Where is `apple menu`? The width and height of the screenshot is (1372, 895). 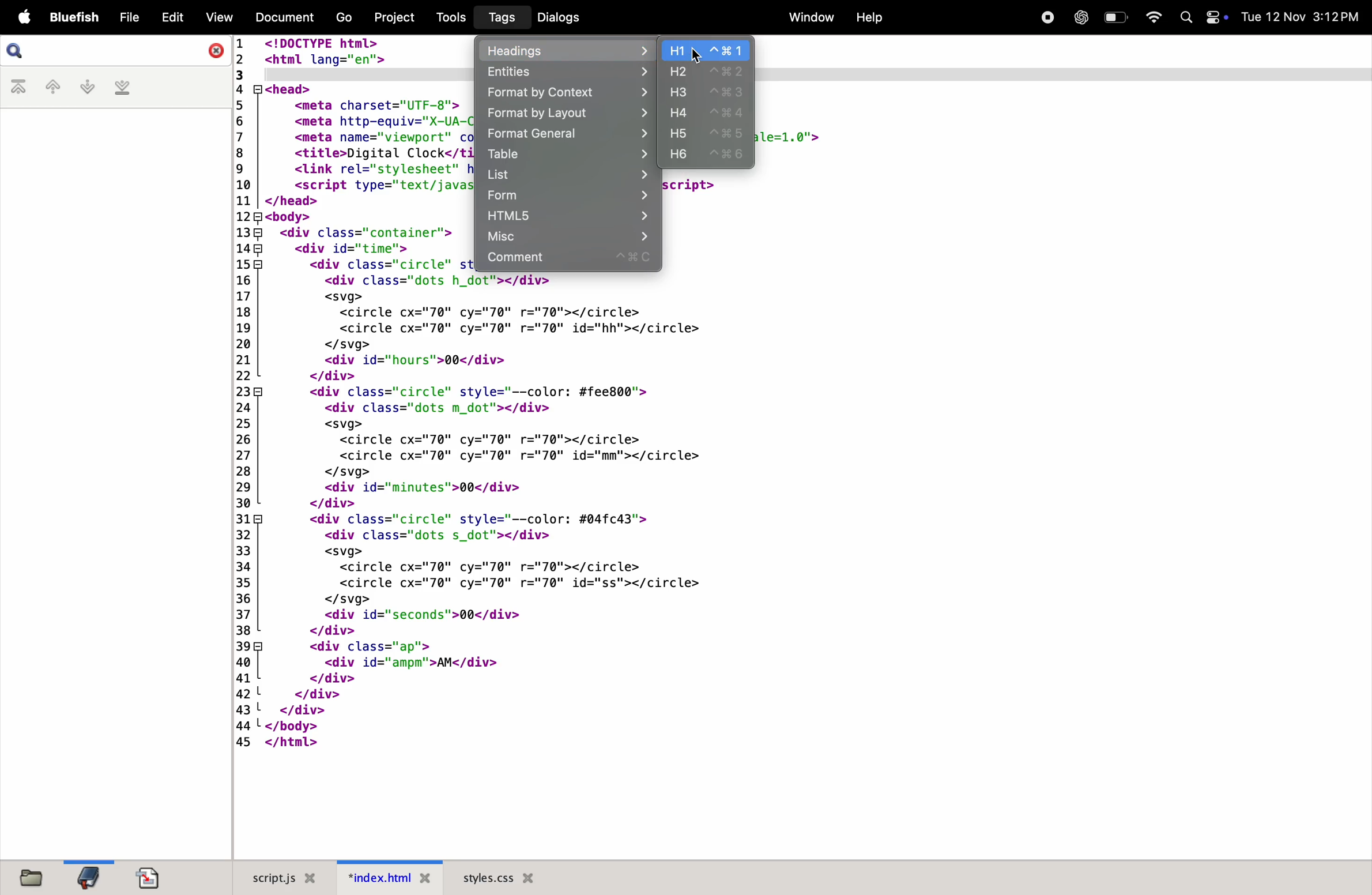 apple menu is located at coordinates (22, 18).